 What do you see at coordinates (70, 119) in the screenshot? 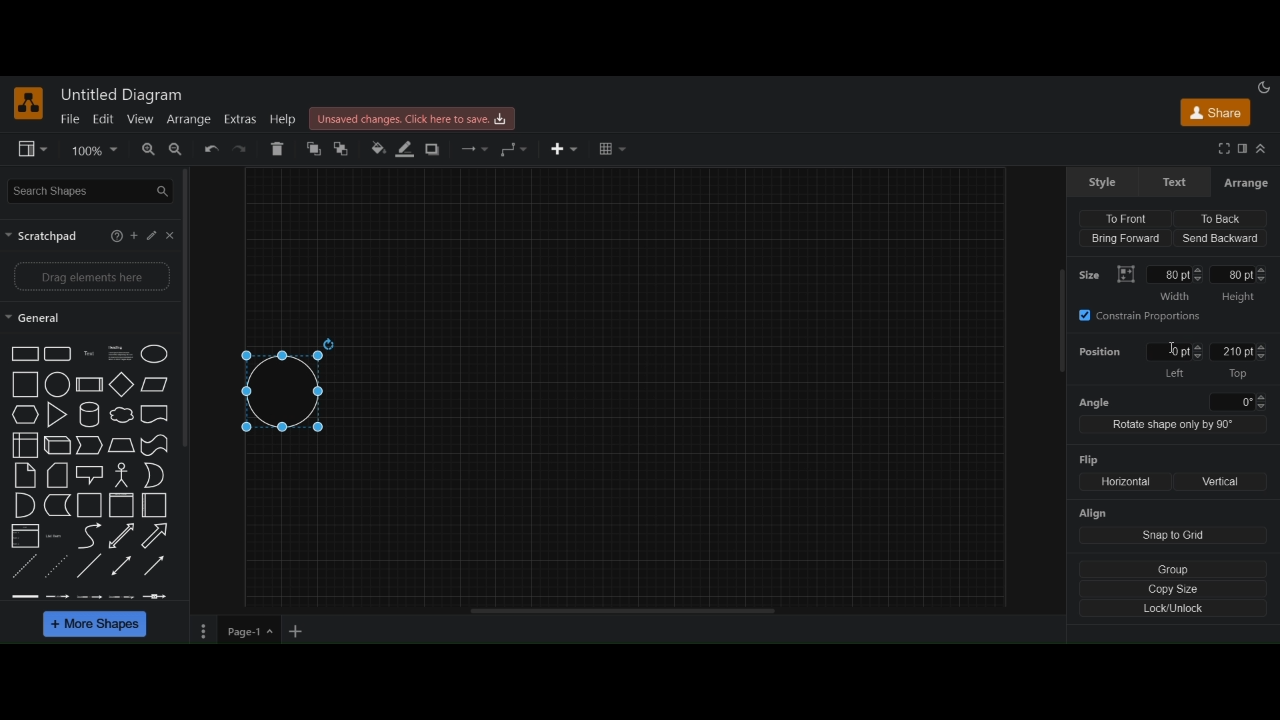
I see `file` at bounding box center [70, 119].